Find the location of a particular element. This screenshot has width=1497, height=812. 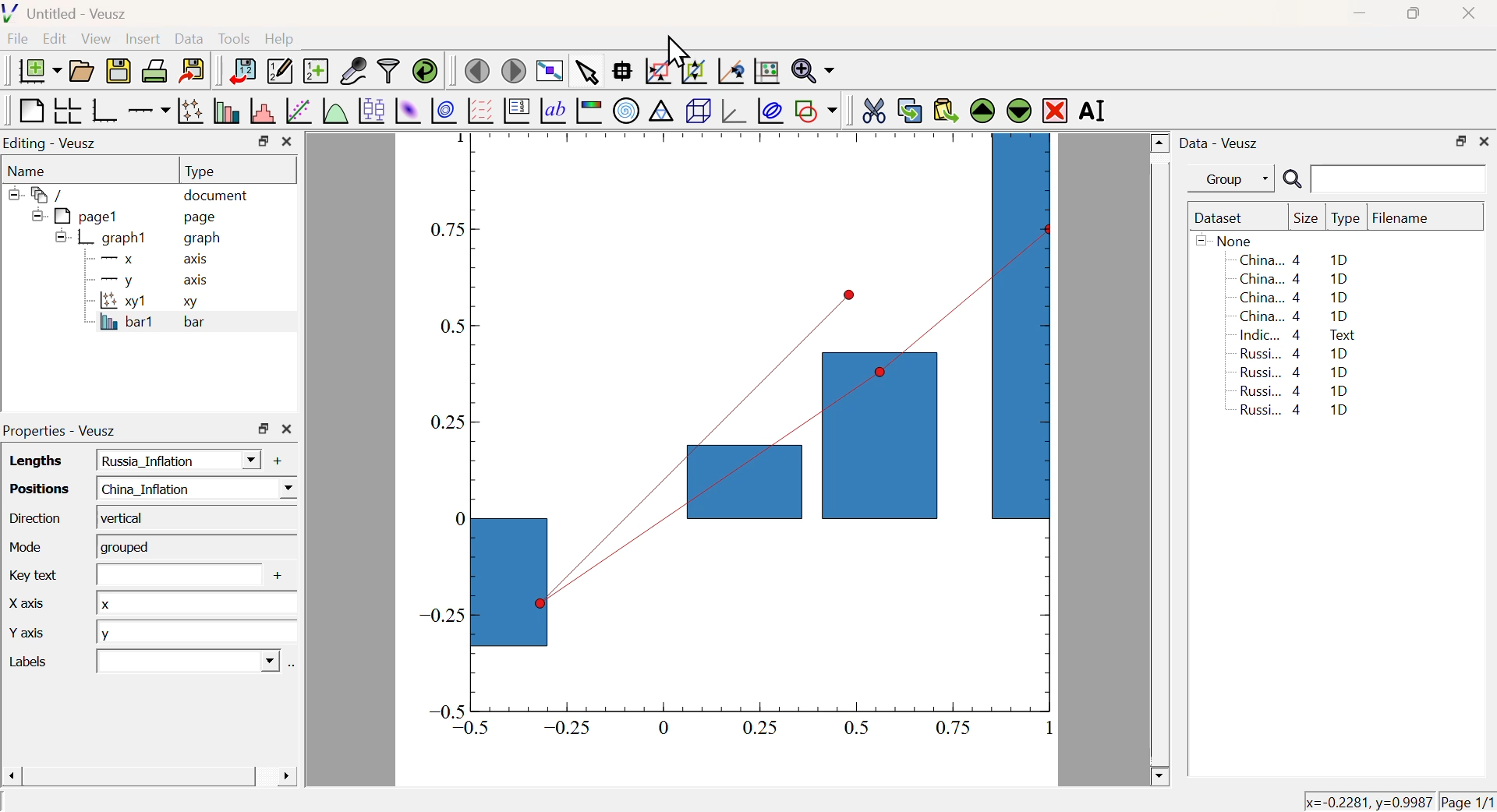

Export to graphics format is located at coordinates (193, 69).